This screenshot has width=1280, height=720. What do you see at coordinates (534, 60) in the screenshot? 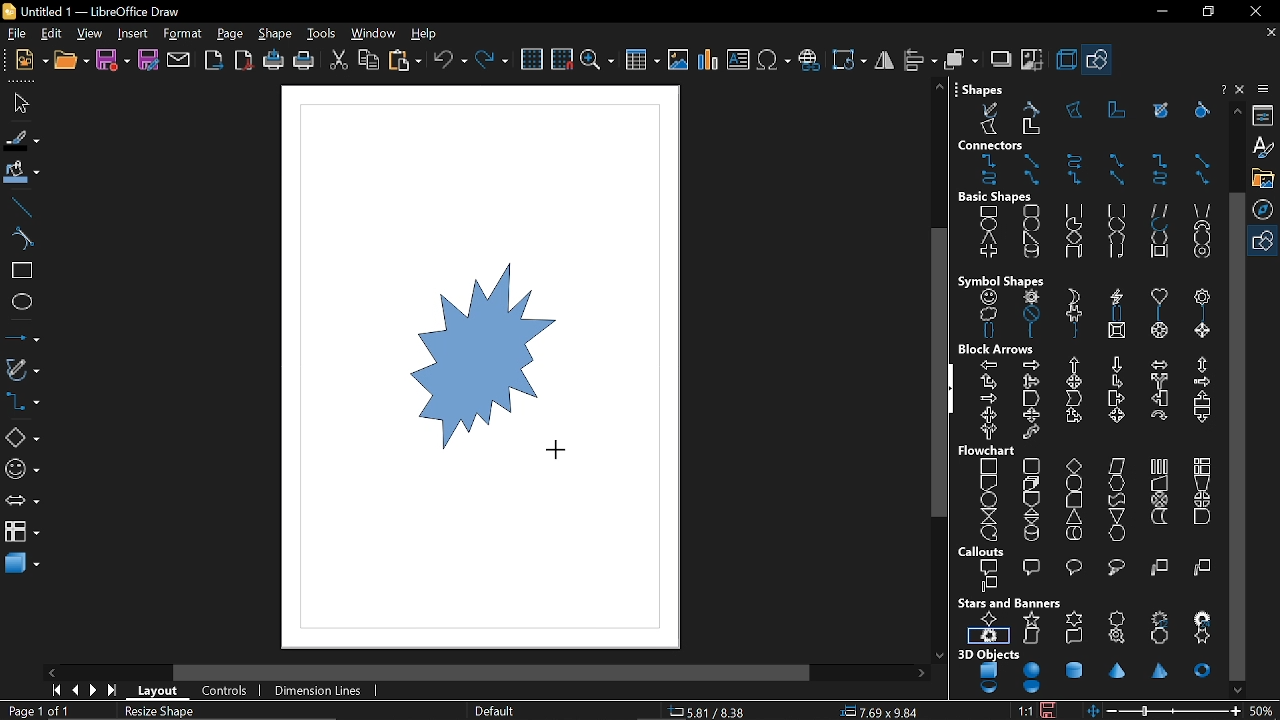
I see `grid` at bounding box center [534, 60].